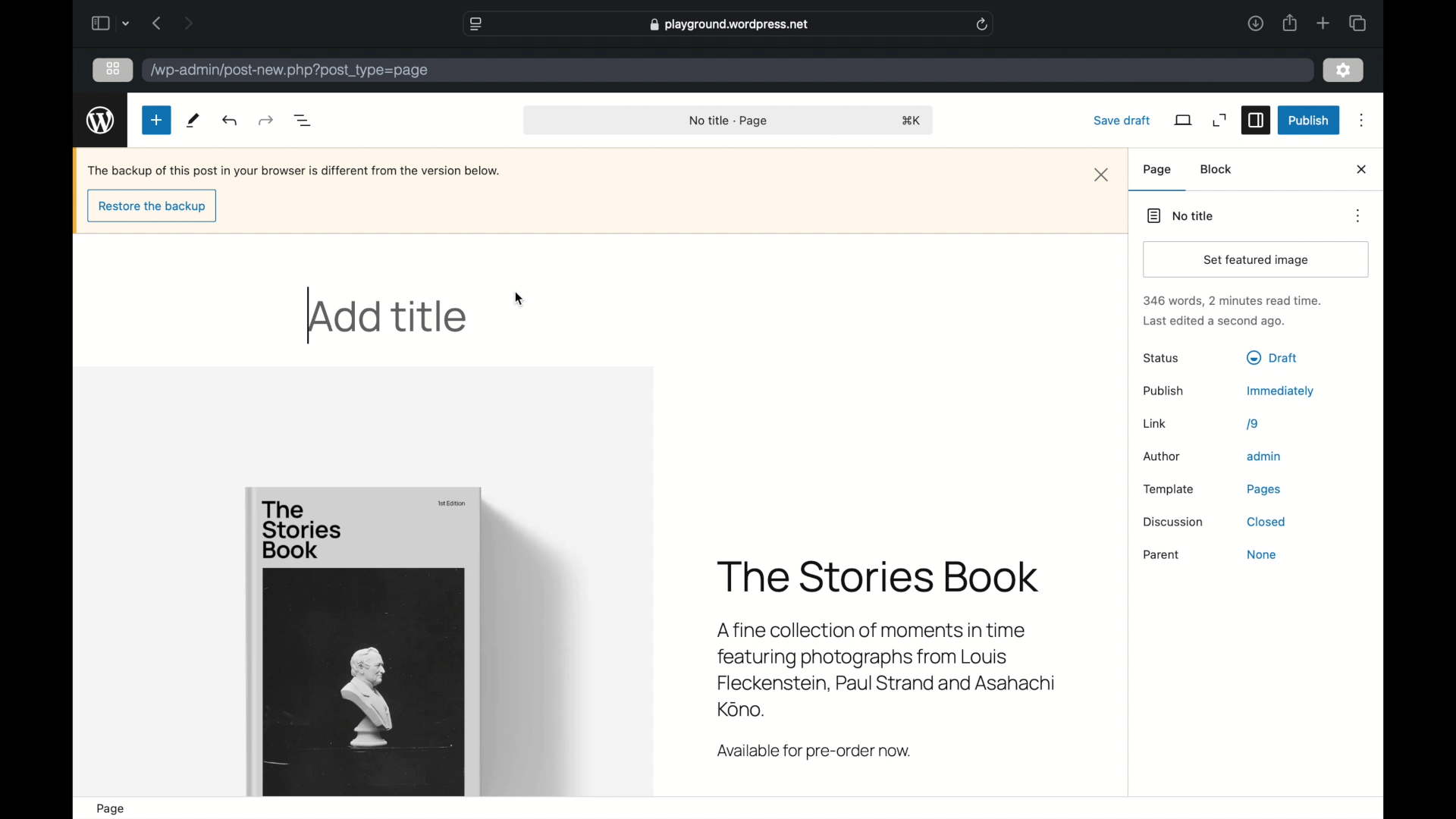  Describe the element at coordinates (1124, 121) in the screenshot. I see `save draft` at that location.